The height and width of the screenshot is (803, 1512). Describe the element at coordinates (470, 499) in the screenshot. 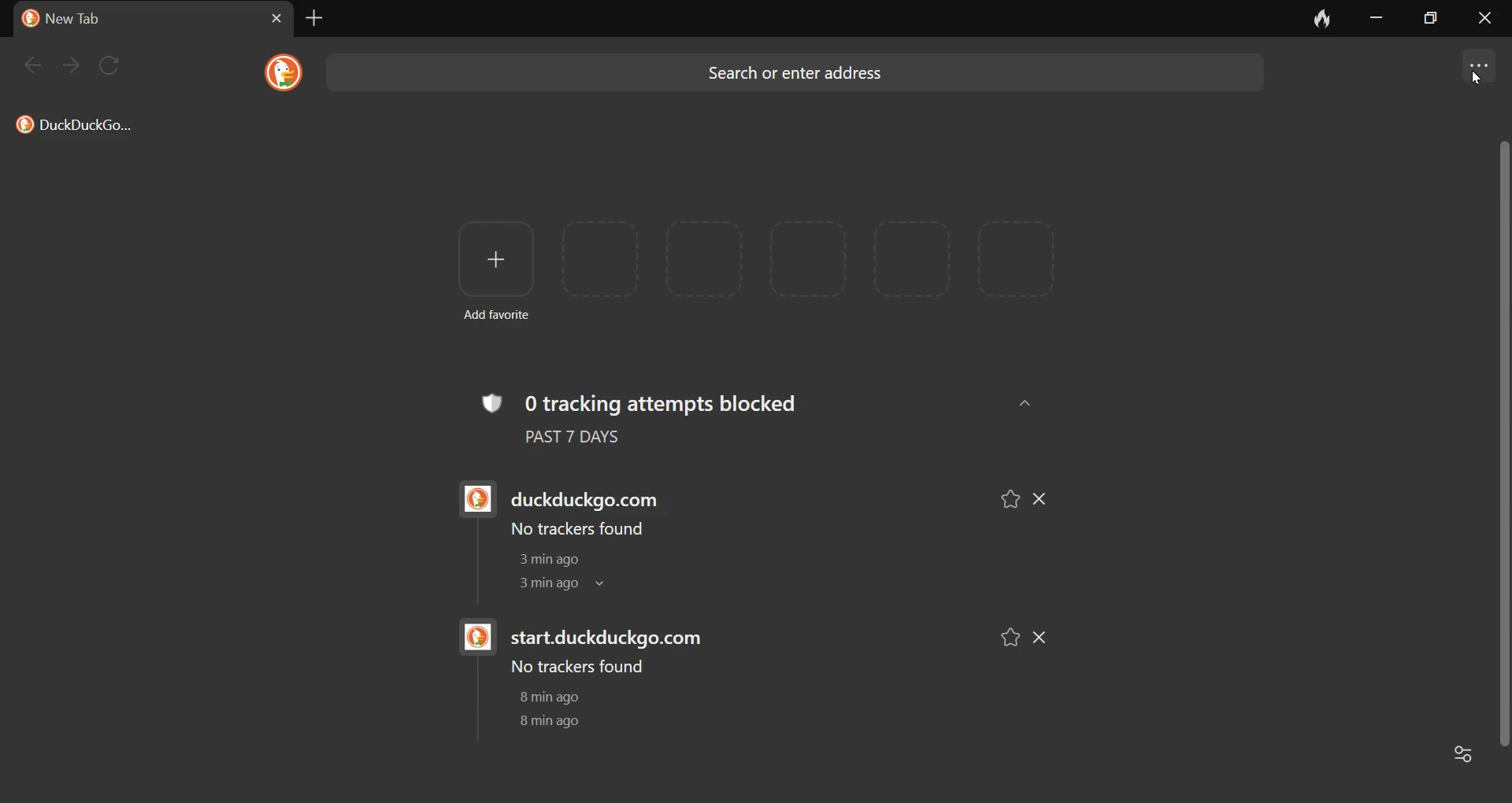

I see `duckduck go logo` at that location.